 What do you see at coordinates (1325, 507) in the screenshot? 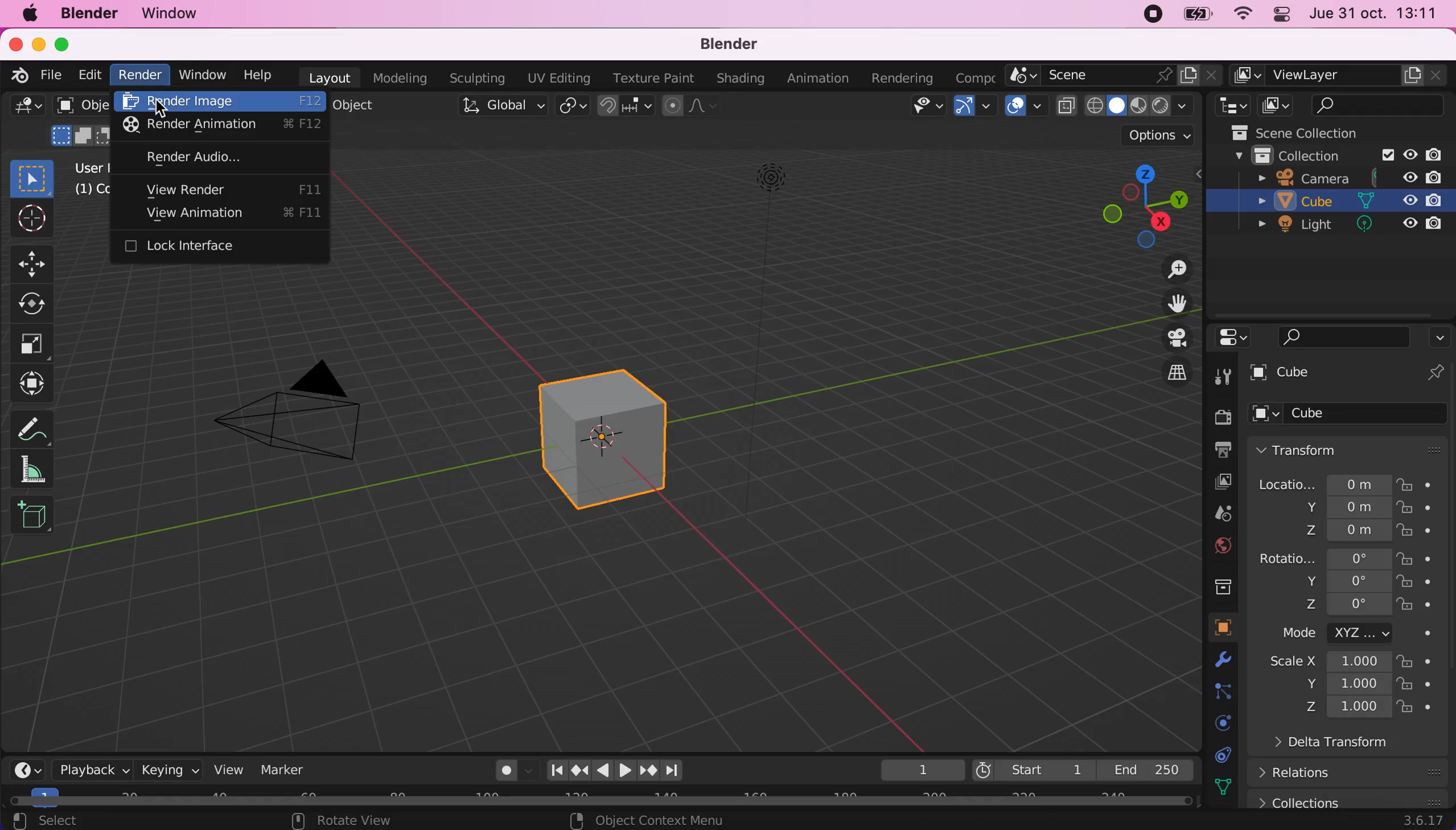
I see `location y` at bounding box center [1325, 507].